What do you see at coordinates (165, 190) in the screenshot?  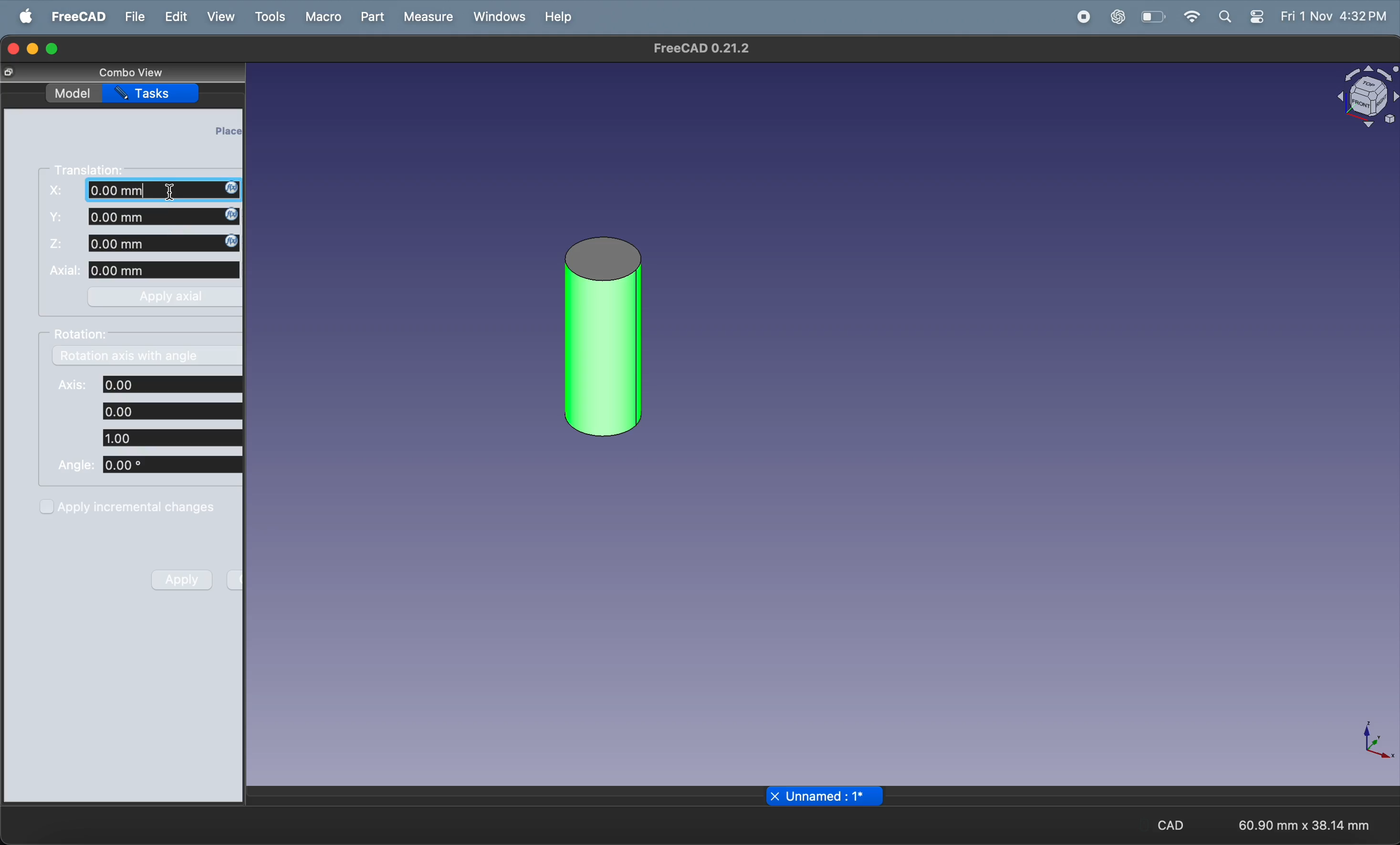 I see `X coordinate` at bounding box center [165, 190].